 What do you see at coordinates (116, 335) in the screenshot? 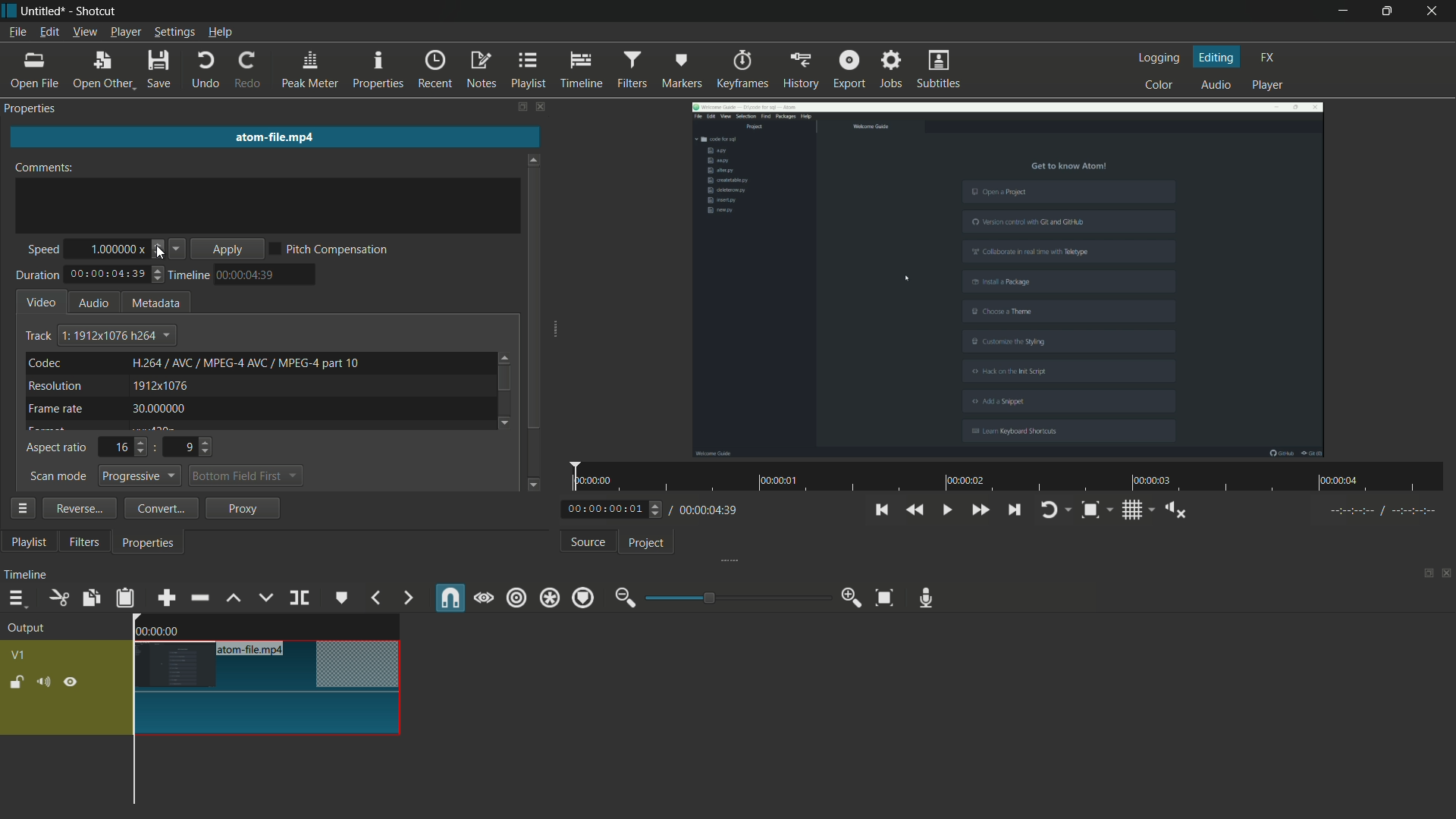
I see `track dropdown` at bounding box center [116, 335].